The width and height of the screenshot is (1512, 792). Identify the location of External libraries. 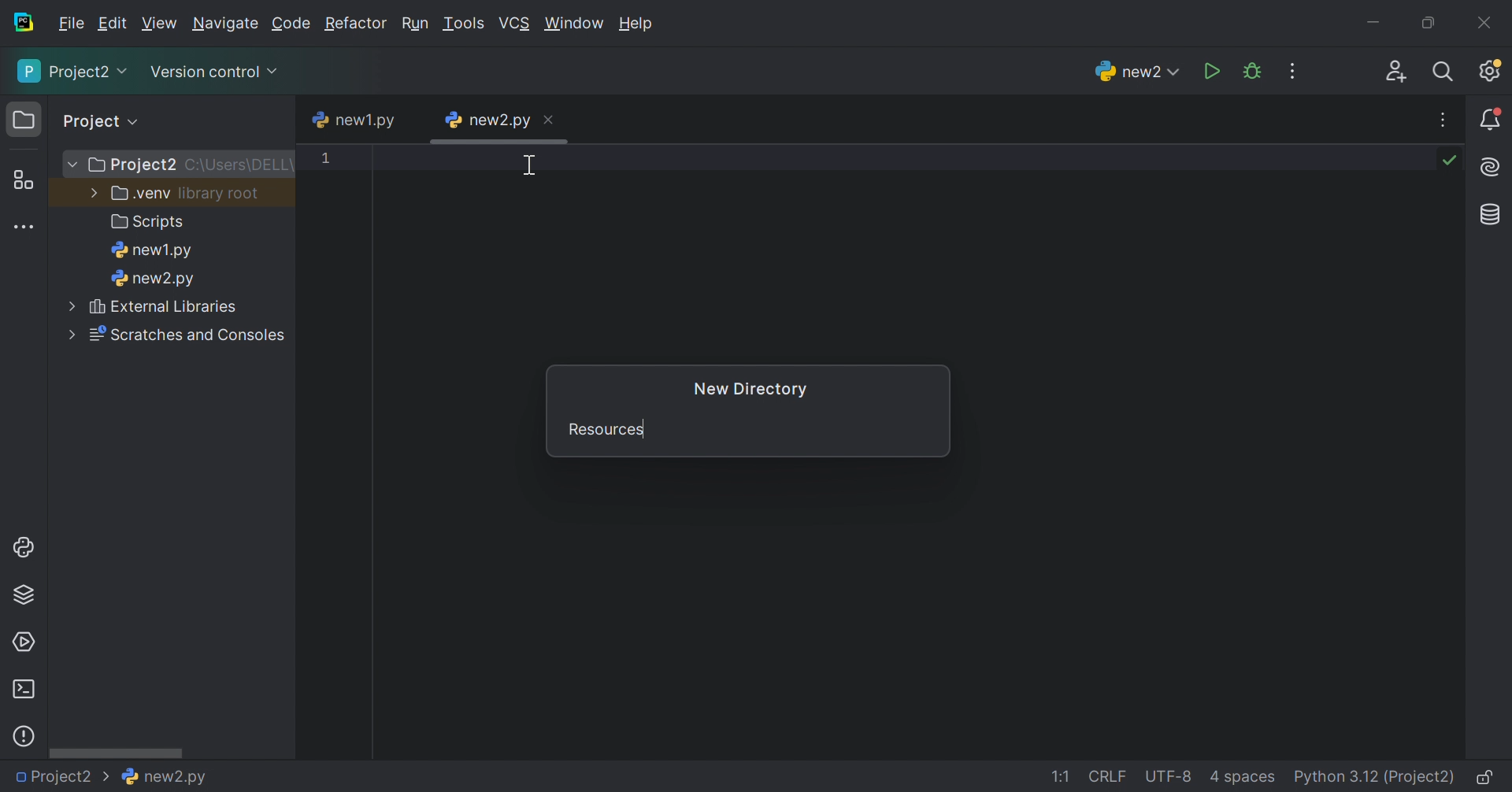
(165, 307).